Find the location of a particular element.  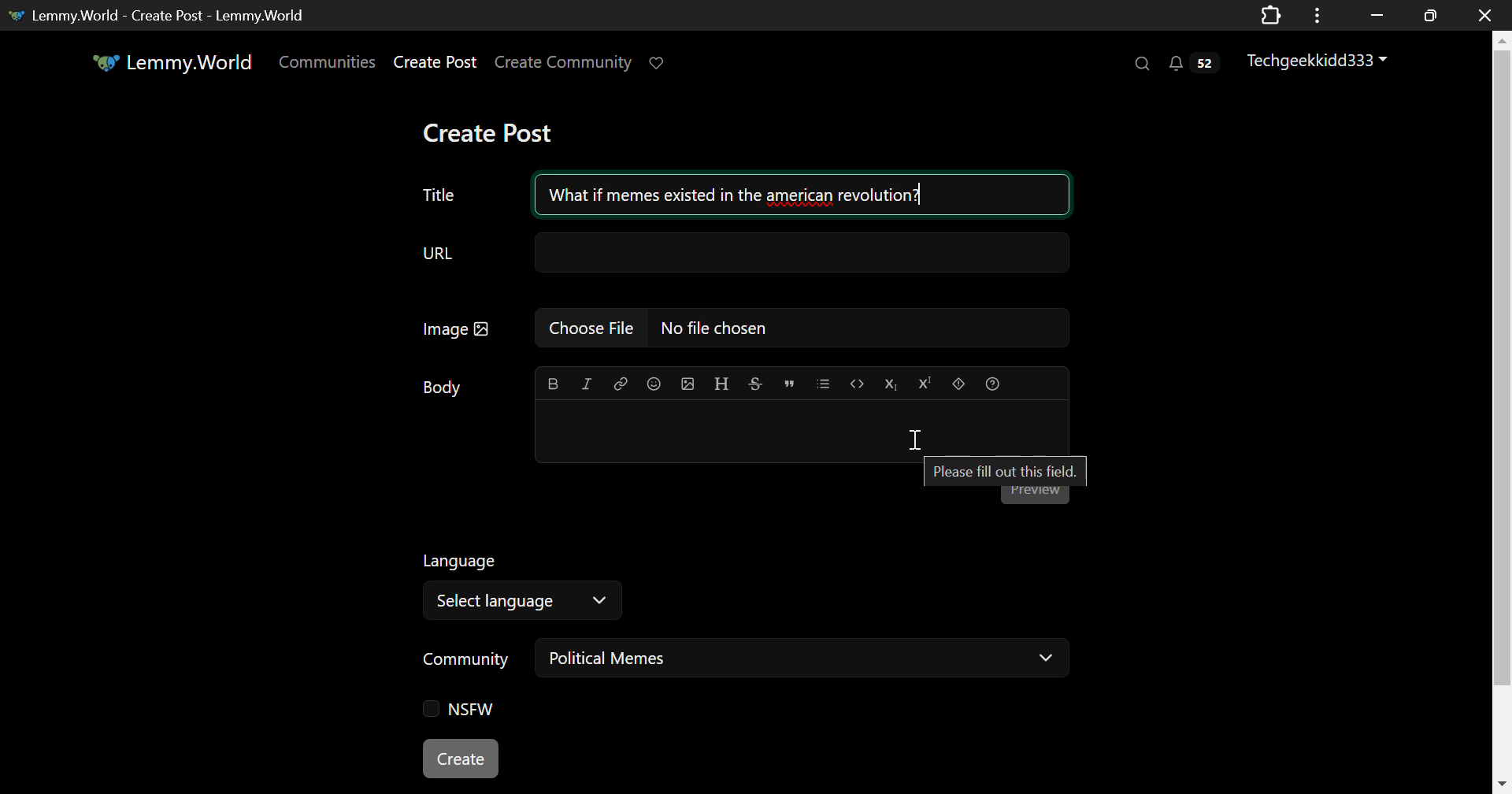

Body is located at coordinates (441, 386).